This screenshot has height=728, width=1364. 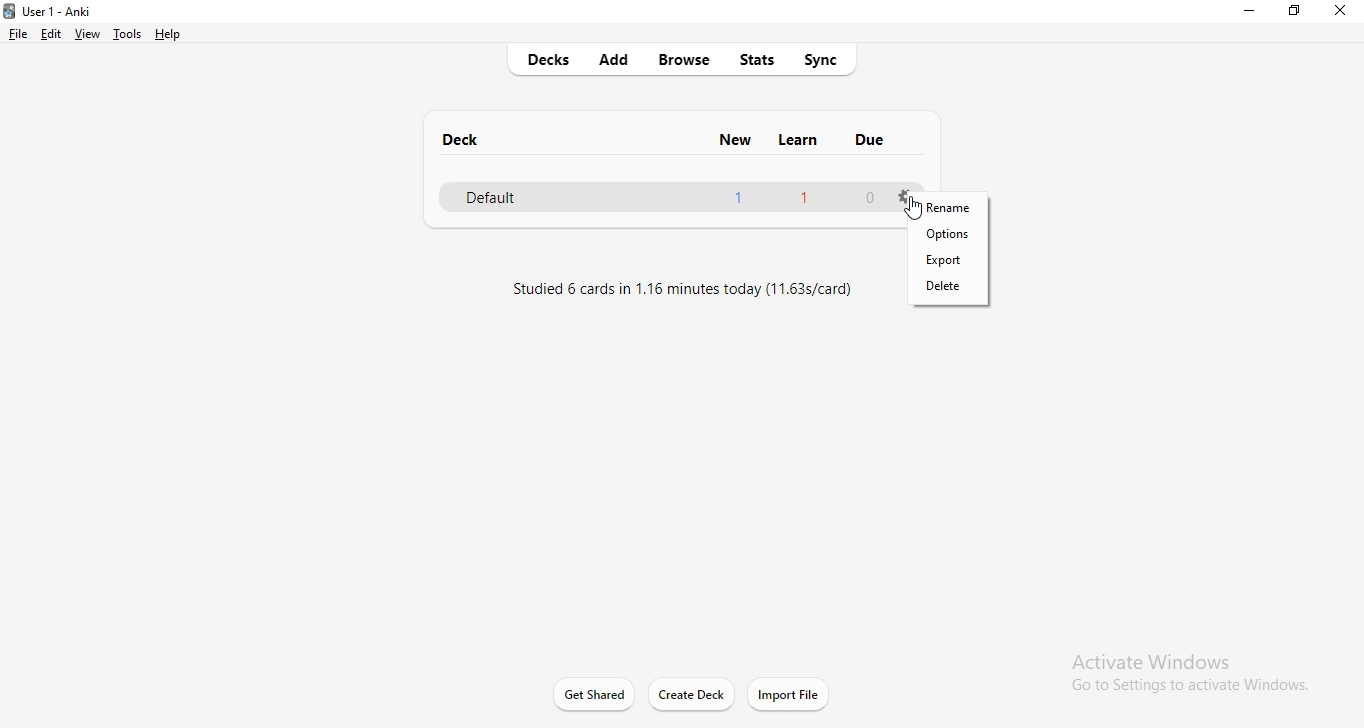 What do you see at coordinates (171, 33) in the screenshot?
I see `help` at bounding box center [171, 33].